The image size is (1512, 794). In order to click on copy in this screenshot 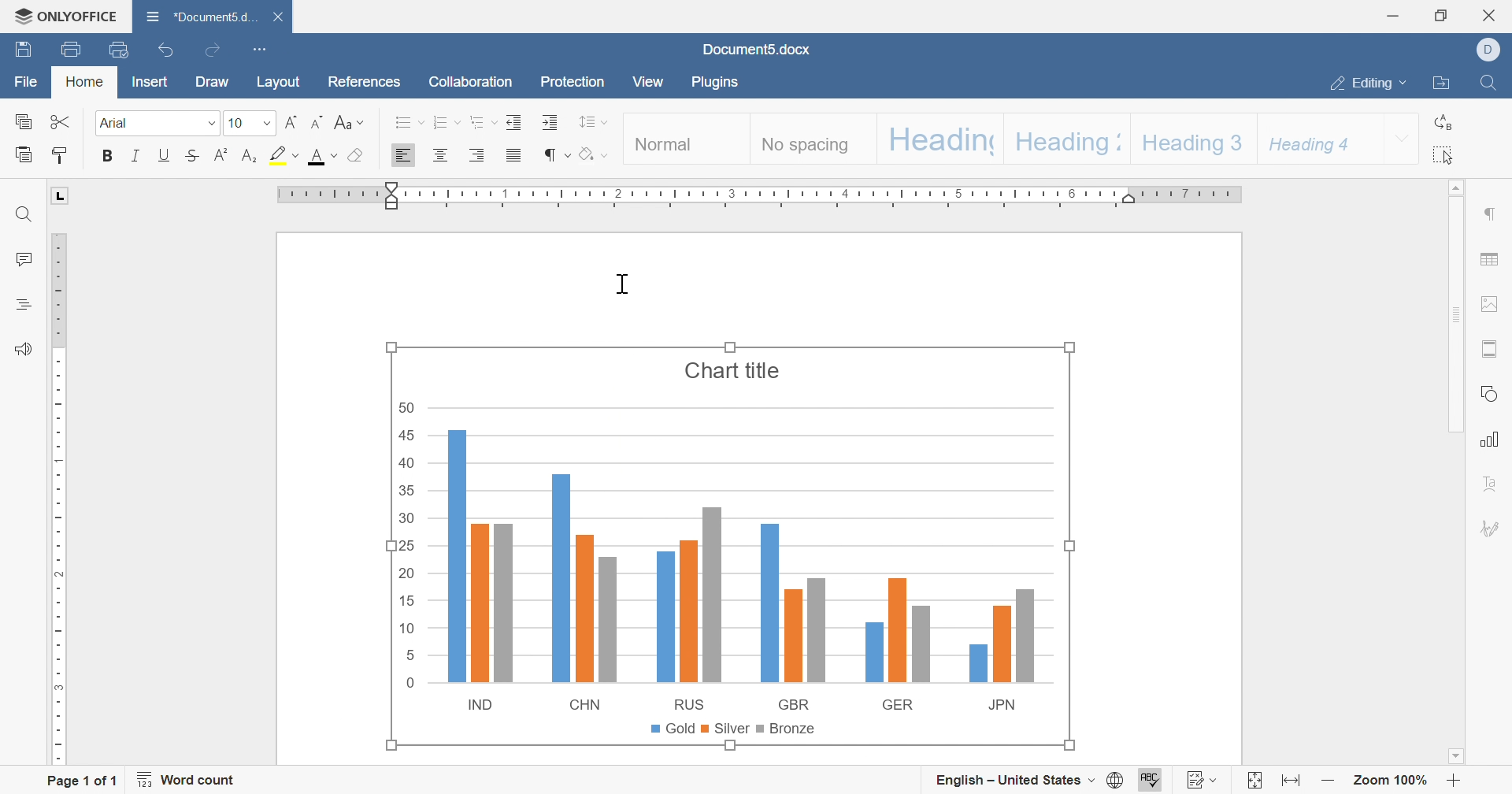, I will do `click(22, 121)`.